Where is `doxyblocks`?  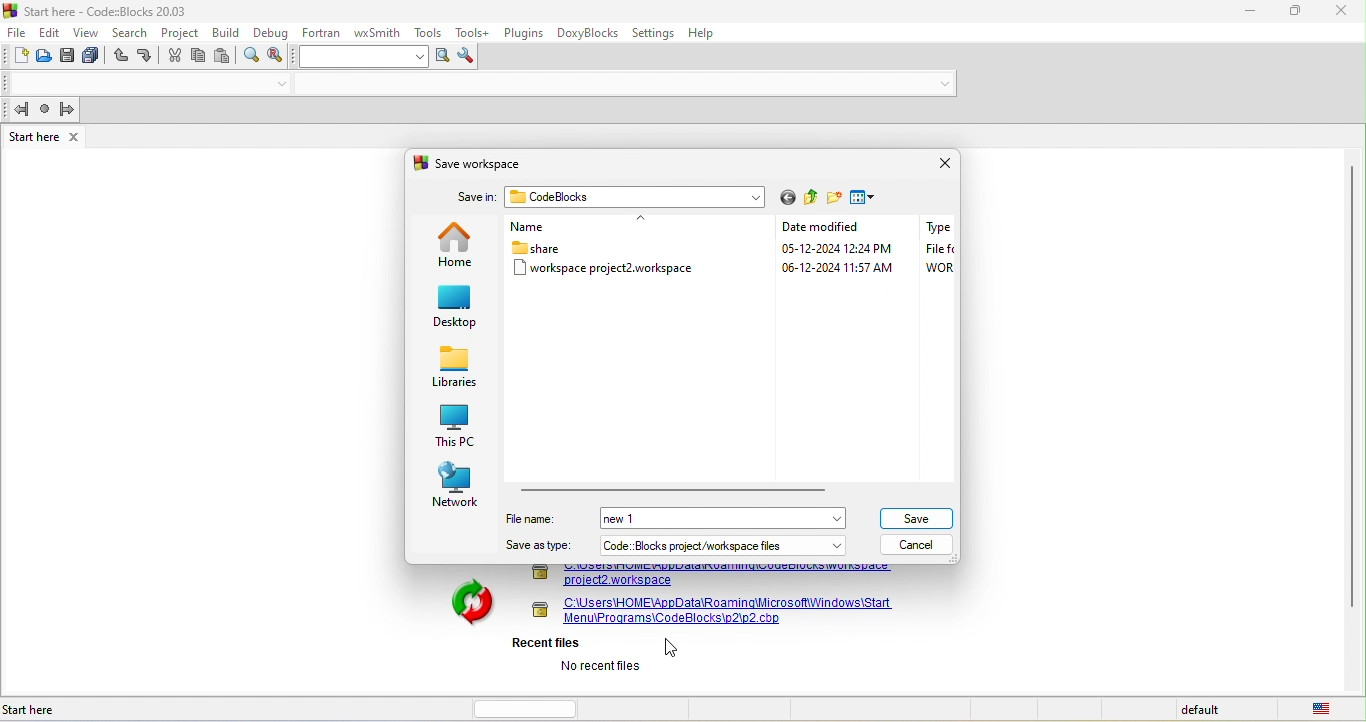
doxyblocks is located at coordinates (588, 34).